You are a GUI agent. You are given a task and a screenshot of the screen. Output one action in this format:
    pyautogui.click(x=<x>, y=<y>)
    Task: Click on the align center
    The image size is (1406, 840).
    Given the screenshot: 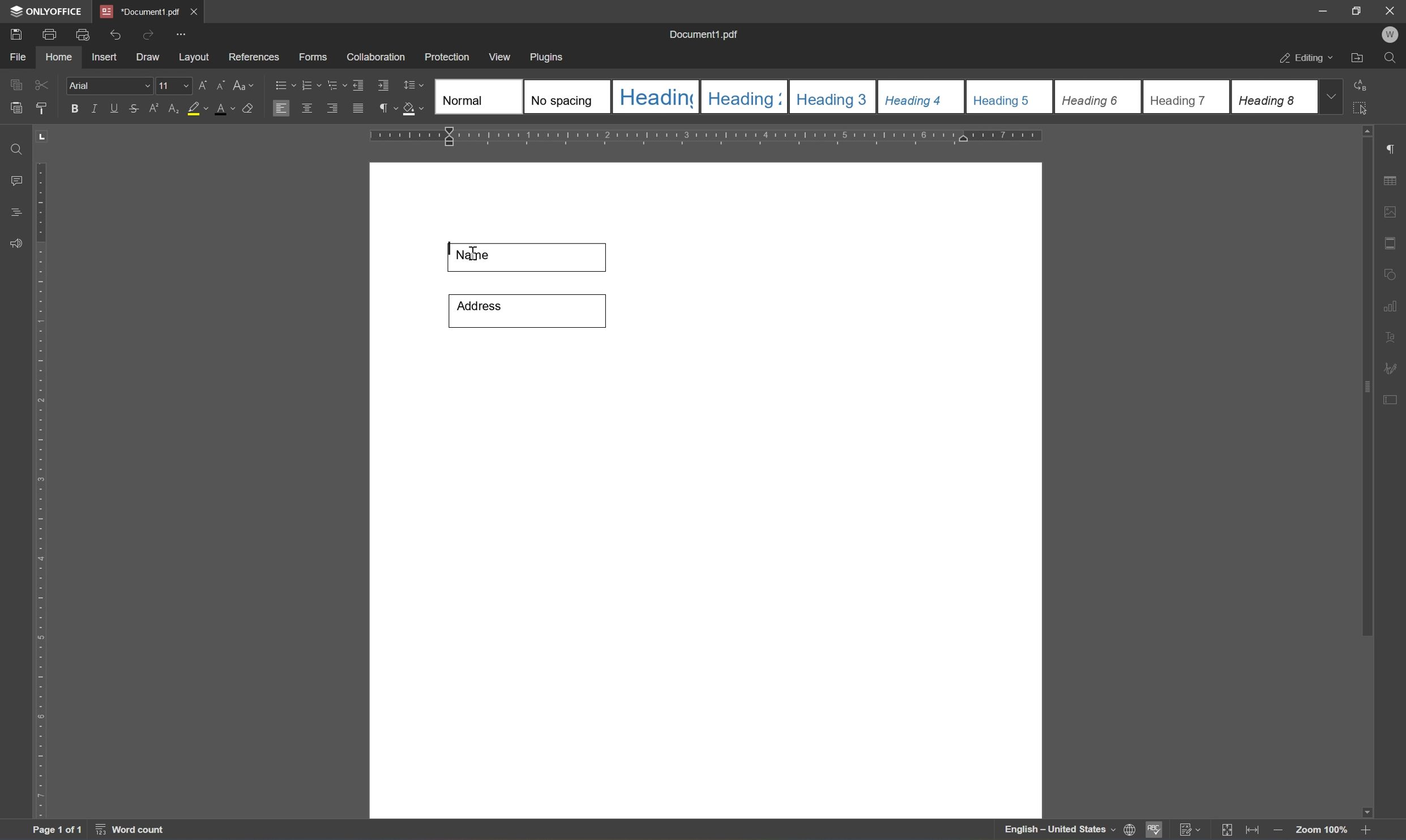 What is the action you would take?
    pyautogui.click(x=306, y=108)
    